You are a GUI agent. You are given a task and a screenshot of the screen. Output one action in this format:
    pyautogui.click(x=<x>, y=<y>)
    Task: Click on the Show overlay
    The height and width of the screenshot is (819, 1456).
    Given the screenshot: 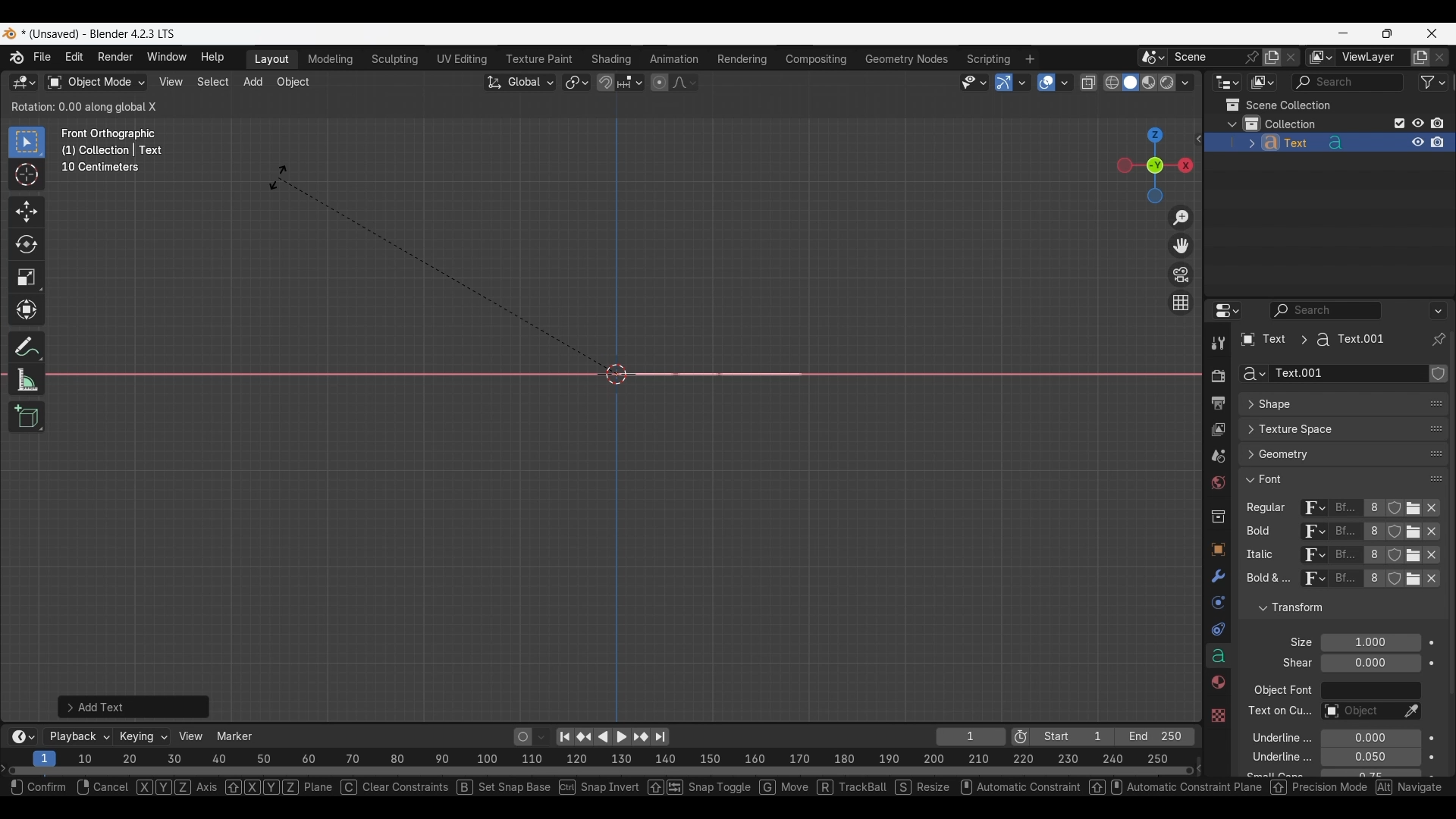 What is the action you would take?
    pyautogui.click(x=1046, y=83)
    